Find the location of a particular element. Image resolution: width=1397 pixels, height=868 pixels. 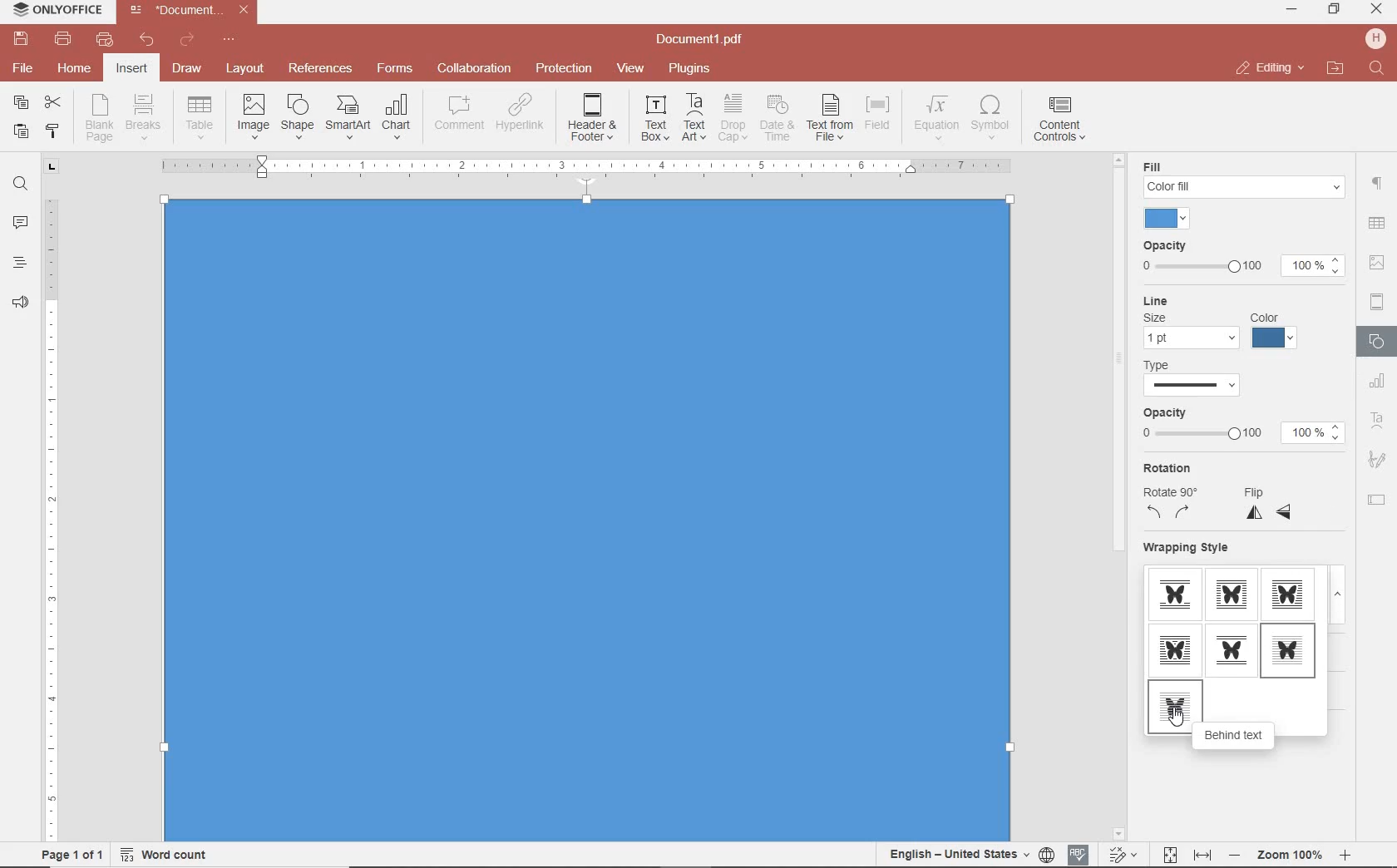

SIGNATURE is located at coordinates (1377, 461).